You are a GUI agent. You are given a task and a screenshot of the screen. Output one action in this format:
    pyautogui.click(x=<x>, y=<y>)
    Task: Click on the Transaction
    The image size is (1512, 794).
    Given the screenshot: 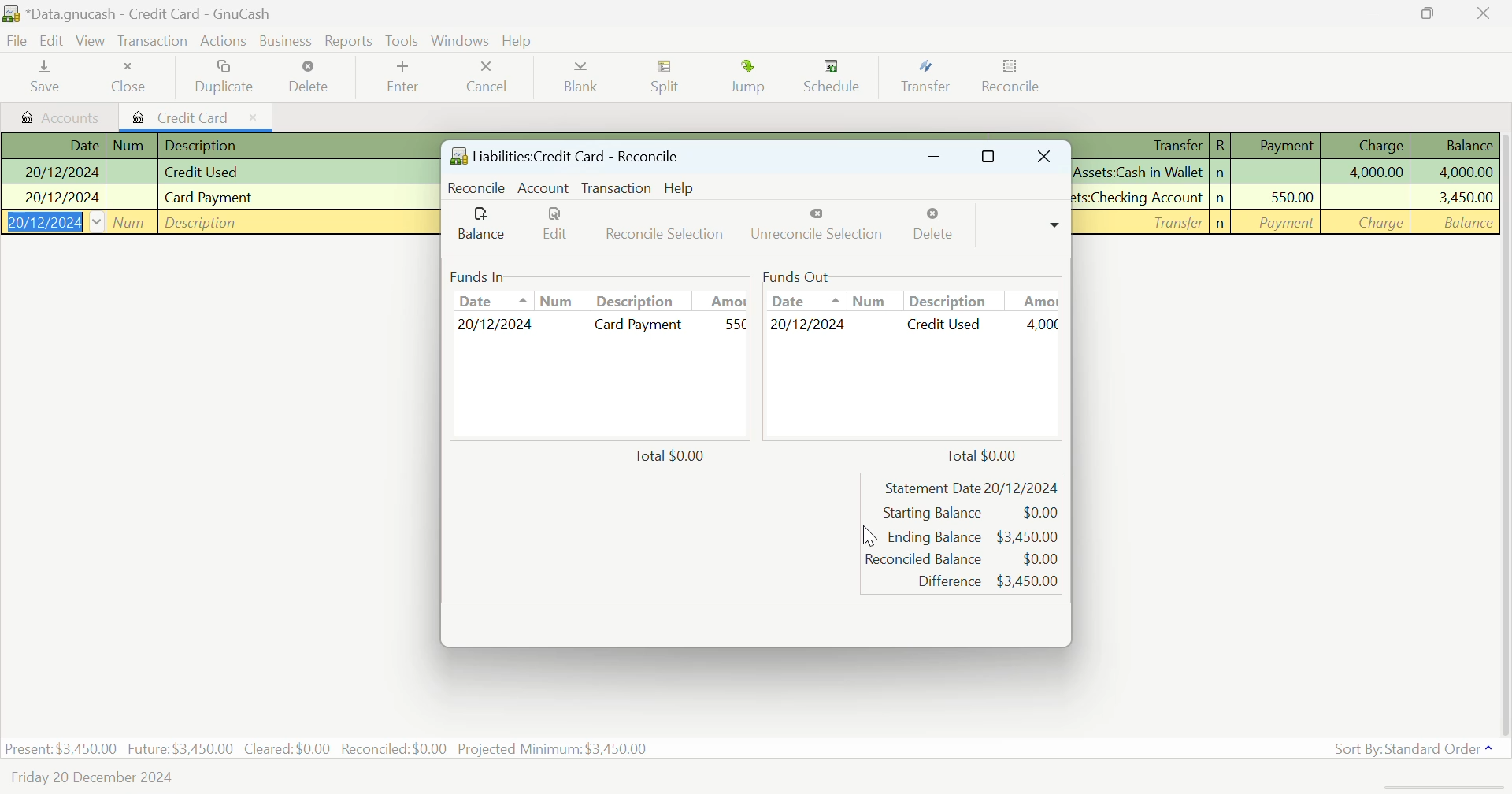 What is the action you would take?
    pyautogui.click(x=150, y=42)
    